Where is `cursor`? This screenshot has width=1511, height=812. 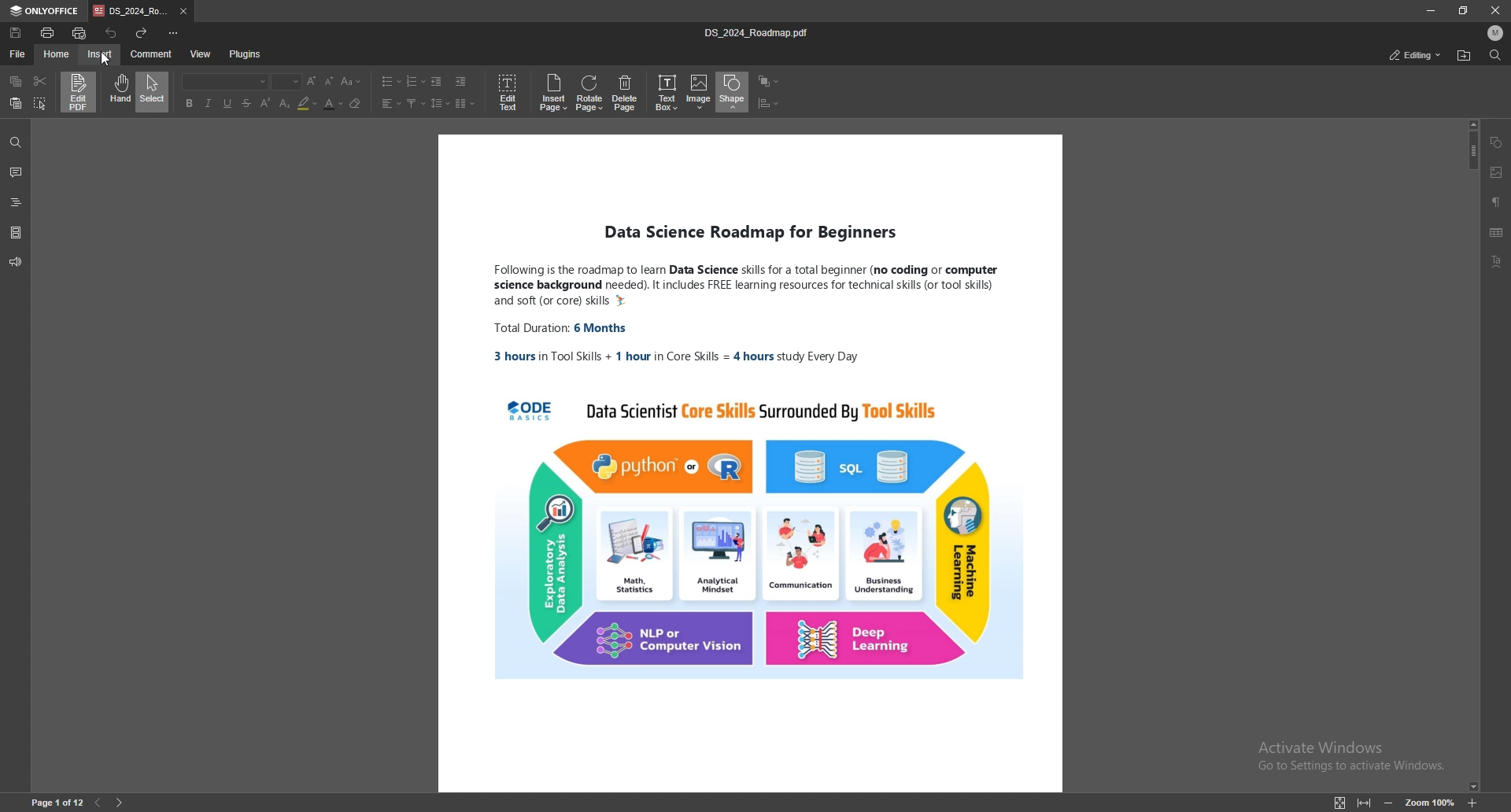
cursor is located at coordinates (109, 61).